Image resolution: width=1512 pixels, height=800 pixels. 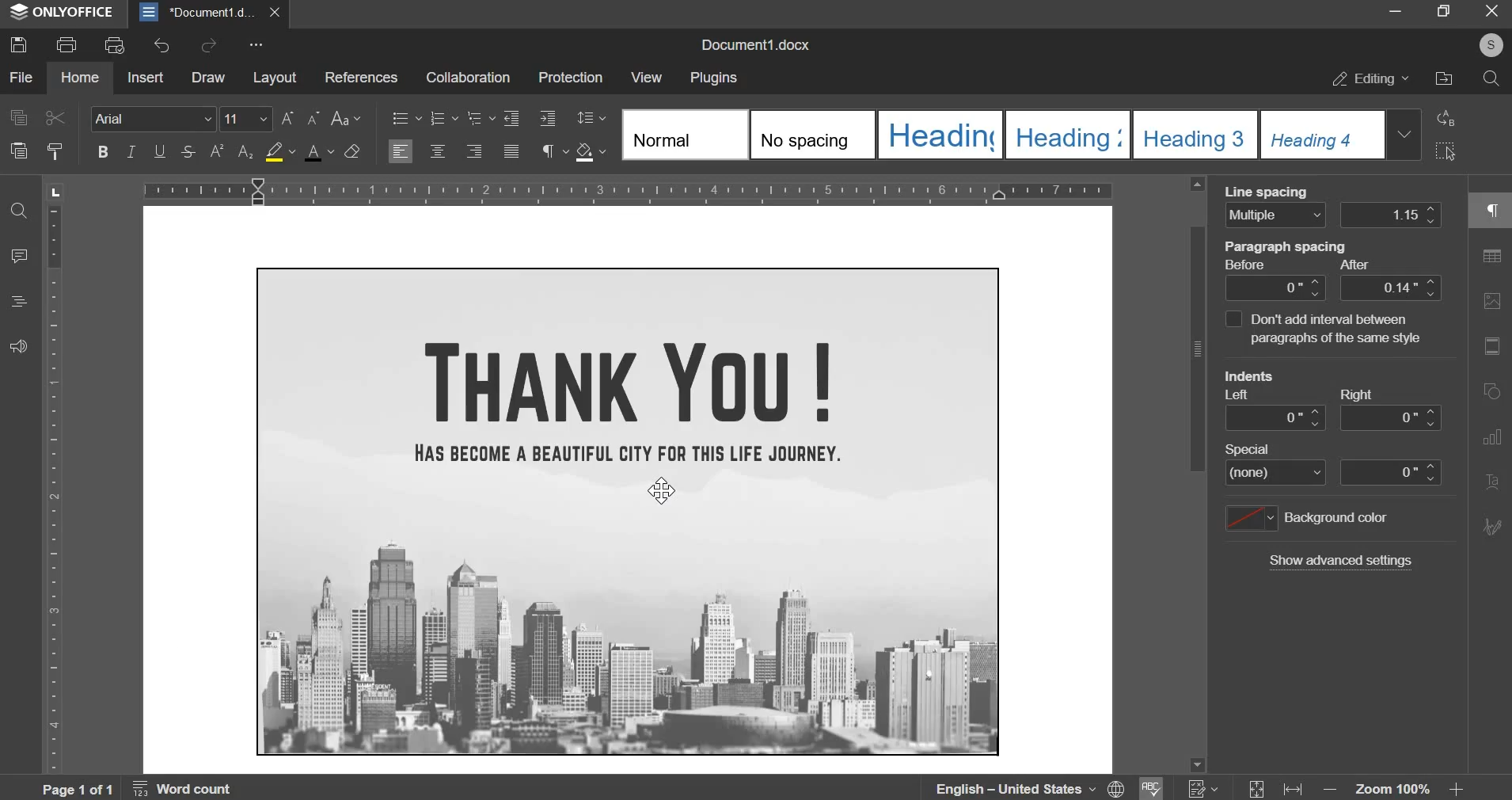 What do you see at coordinates (1491, 78) in the screenshot?
I see `search` at bounding box center [1491, 78].